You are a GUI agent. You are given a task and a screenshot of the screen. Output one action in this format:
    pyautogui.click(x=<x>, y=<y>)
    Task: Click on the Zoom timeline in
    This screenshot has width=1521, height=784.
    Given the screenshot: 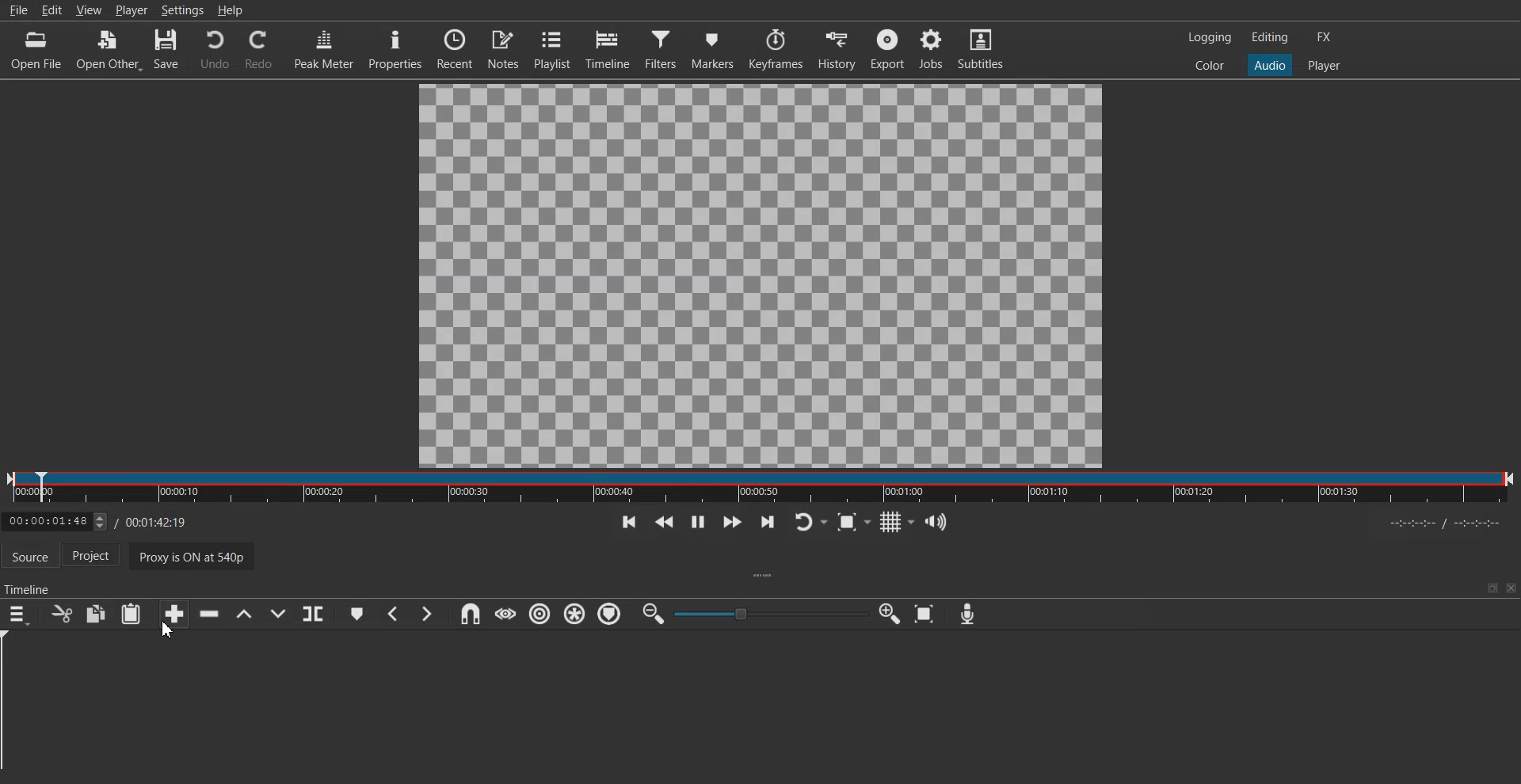 What is the action you would take?
    pyautogui.click(x=890, y=614)
    